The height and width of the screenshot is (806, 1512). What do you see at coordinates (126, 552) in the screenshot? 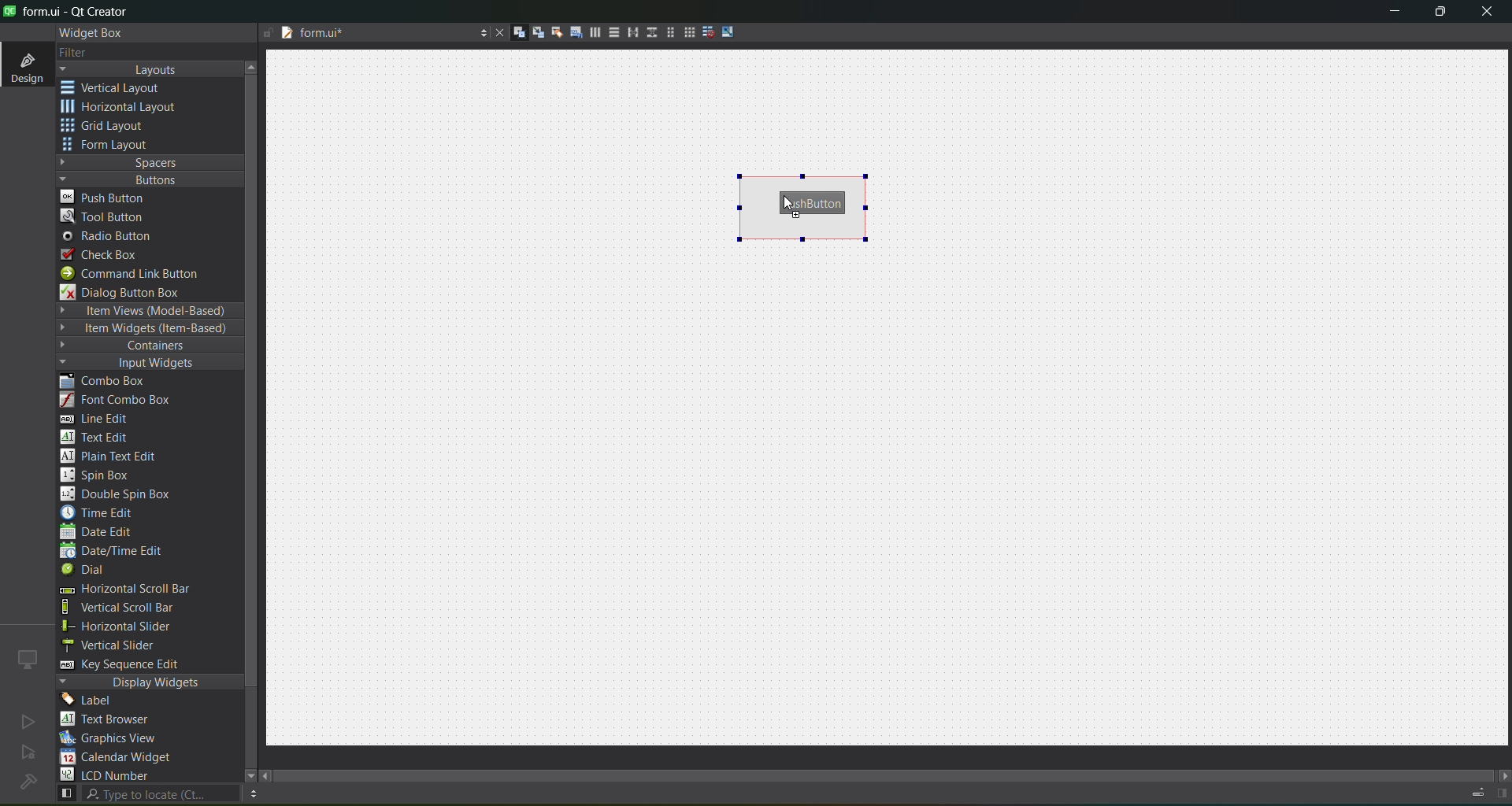
I see `date/time edit` at bounding box center [126, 552].